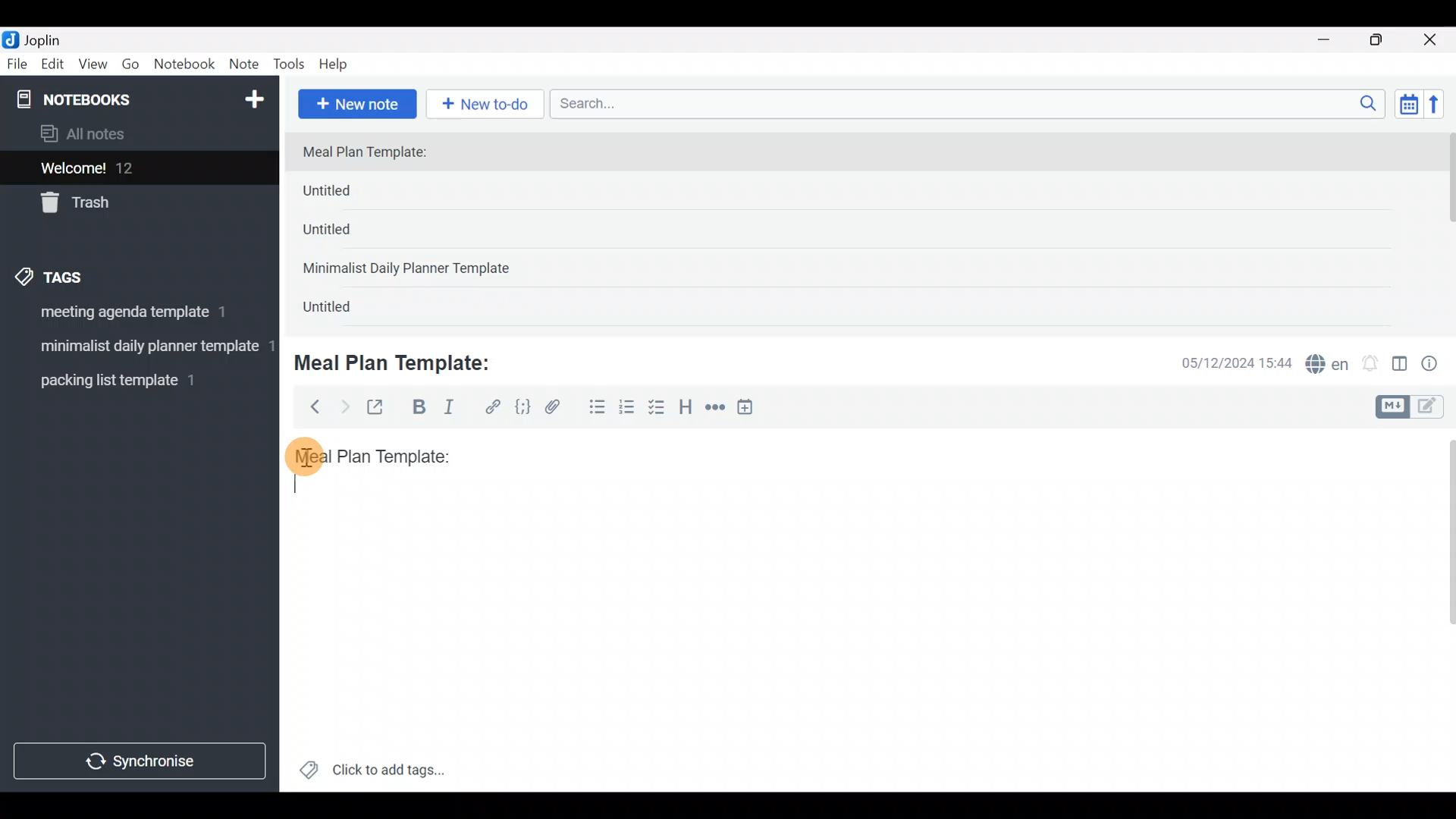 This screenshot has width=1456, height=819. What do you see at coordinates (352, 194) in the screenshot?
I see `Untitled` at bounding box center [352, 194].